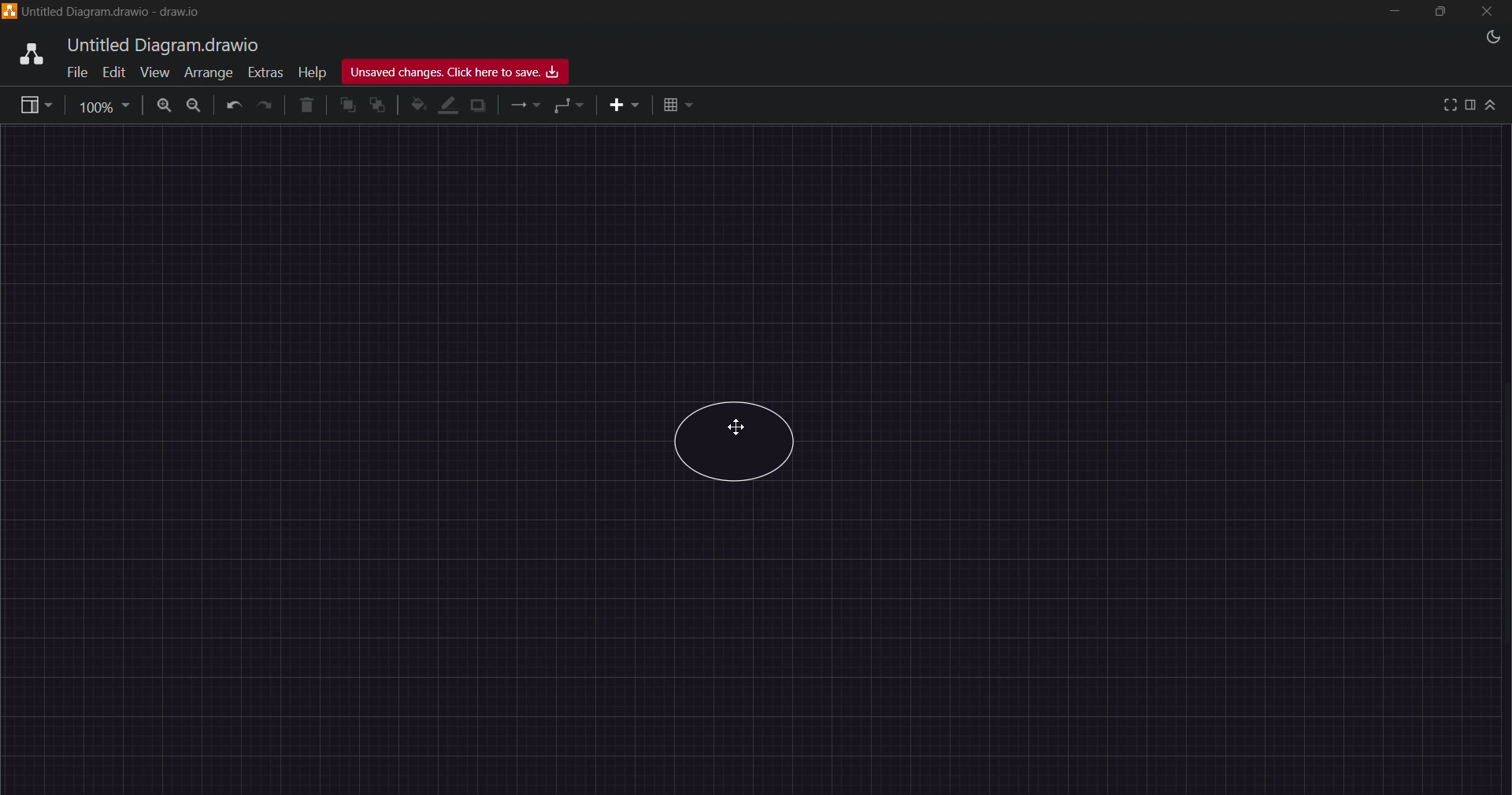 This screenshot has height=795, width=1512. What do you see at coordinates (114, 72) in the screenshot?
I see `edit` at bounding box center [114, 72].